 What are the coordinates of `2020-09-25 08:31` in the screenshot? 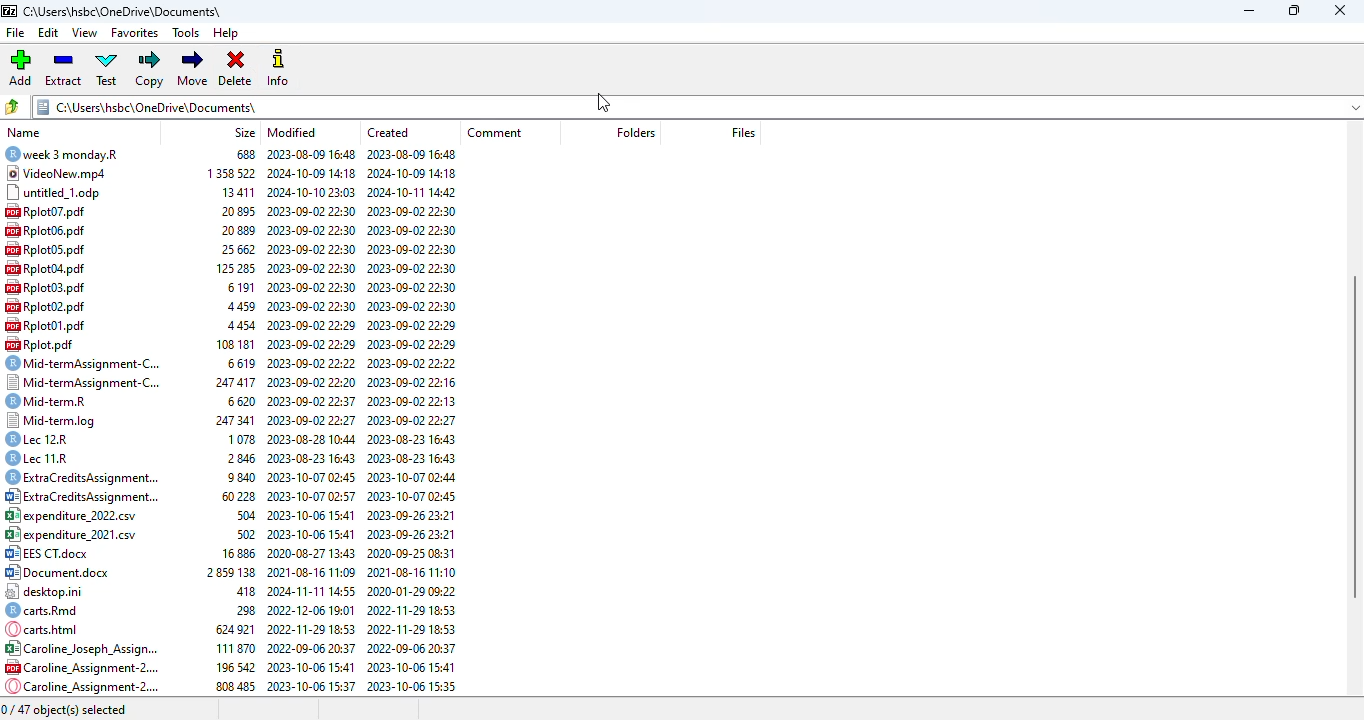 It's located at (412, 554).